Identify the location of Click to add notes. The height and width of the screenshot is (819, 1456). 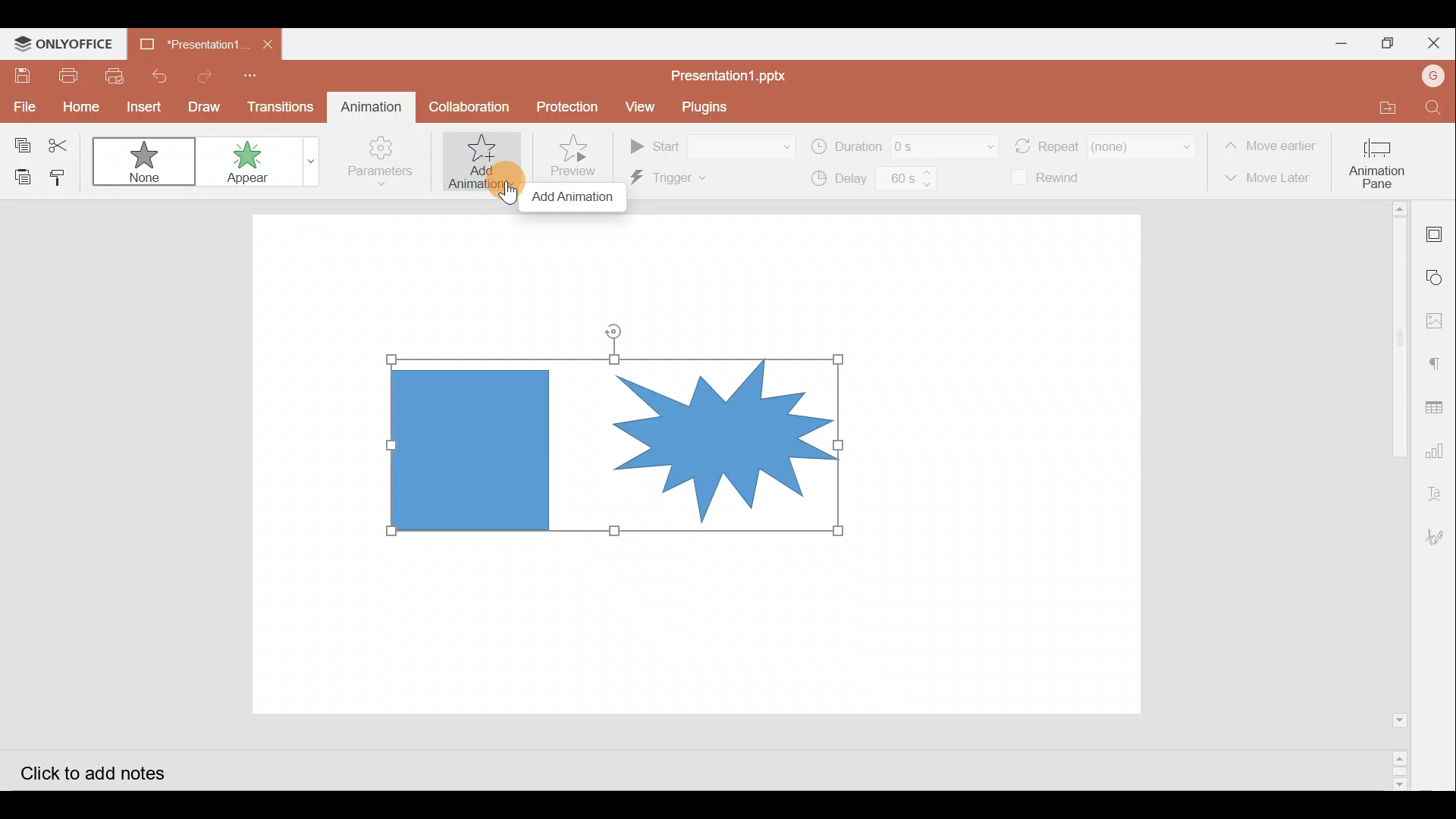
(109, 770).